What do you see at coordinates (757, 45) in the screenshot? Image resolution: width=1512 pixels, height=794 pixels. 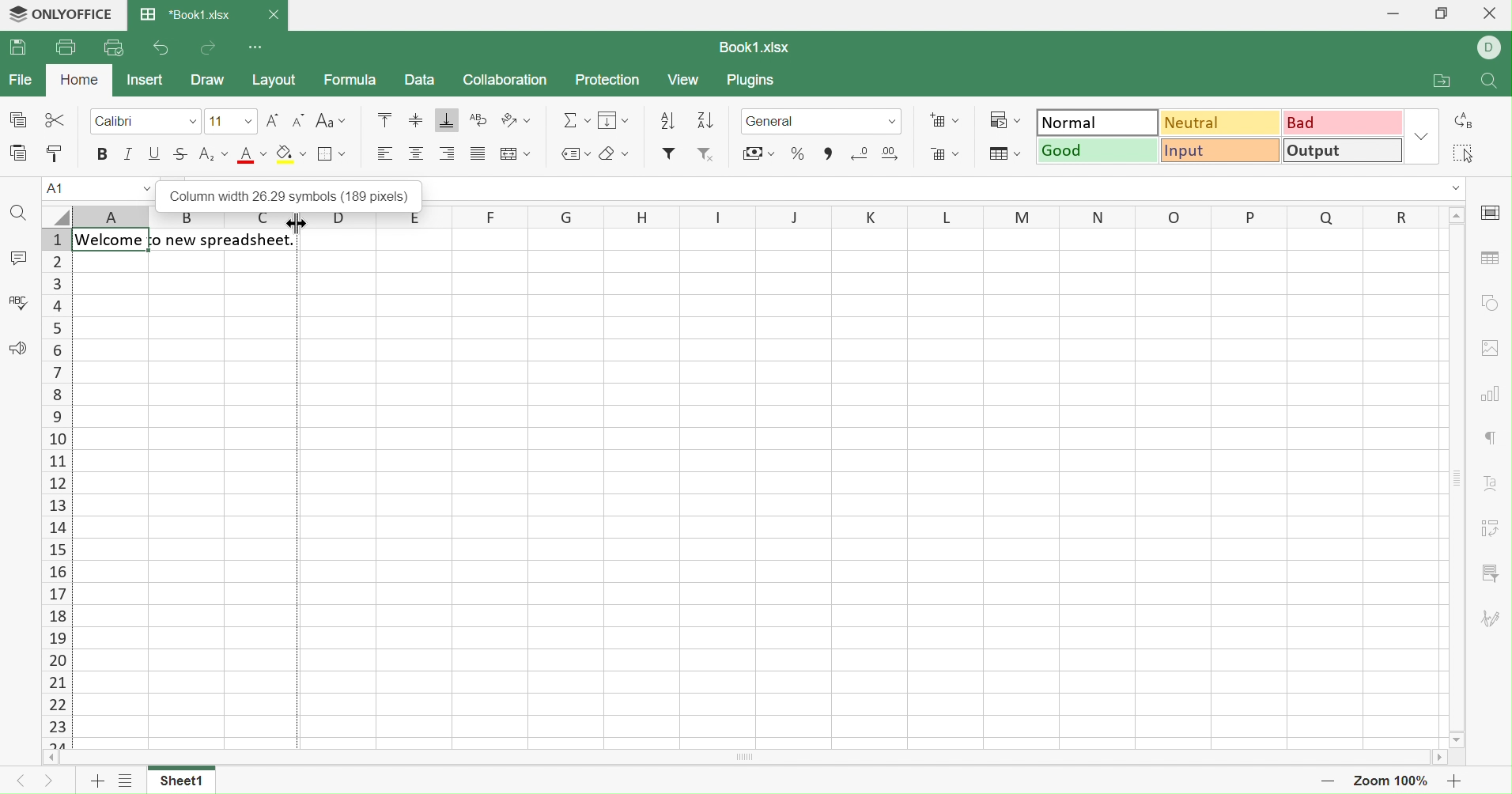 I see `Book1.xlsx` at bounding box center [757, 45].